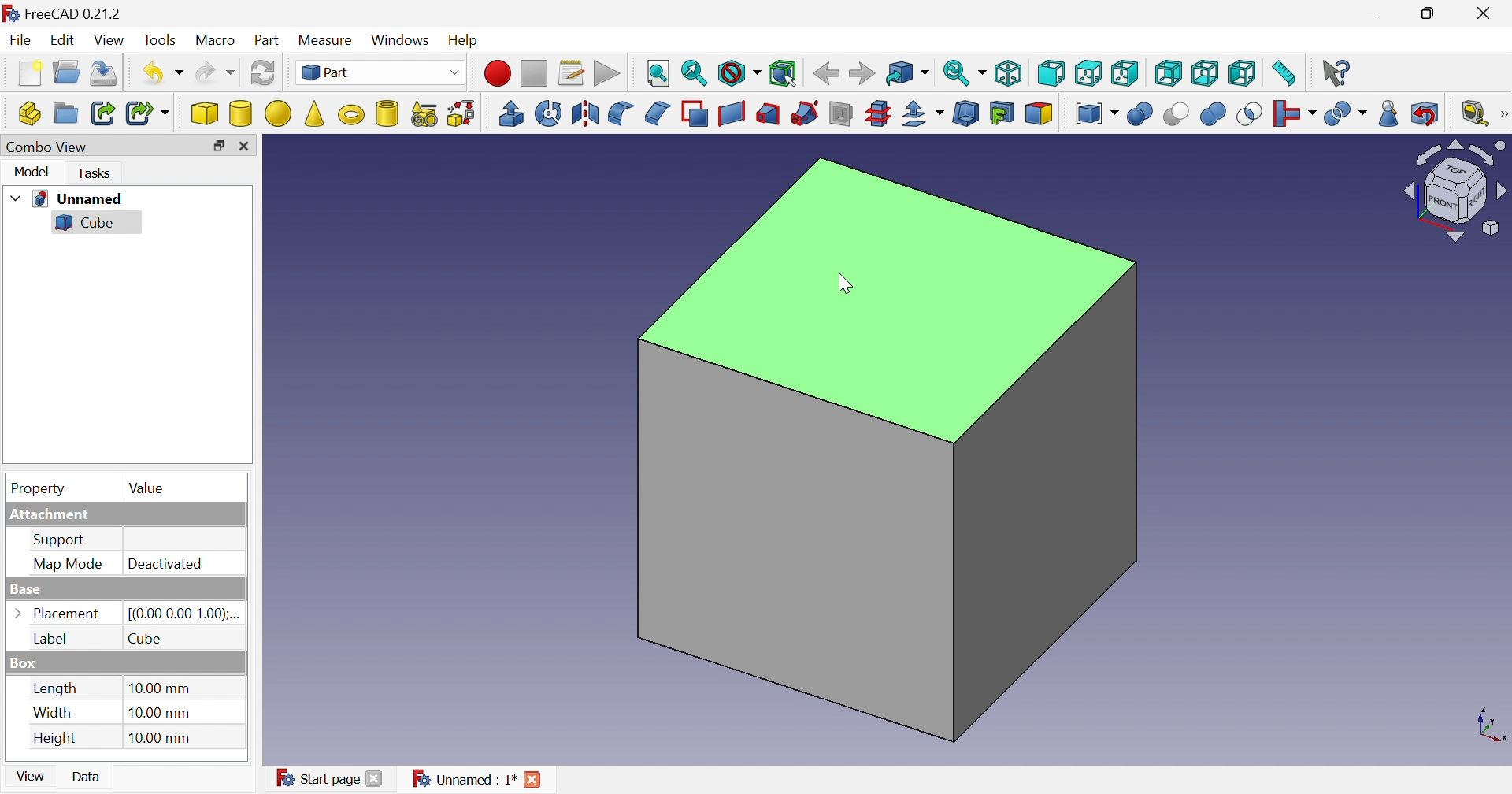  What do you see at coordinates (584, 113) in the screenshot?
I see `Mirroring` at bounding box center [584, 113].